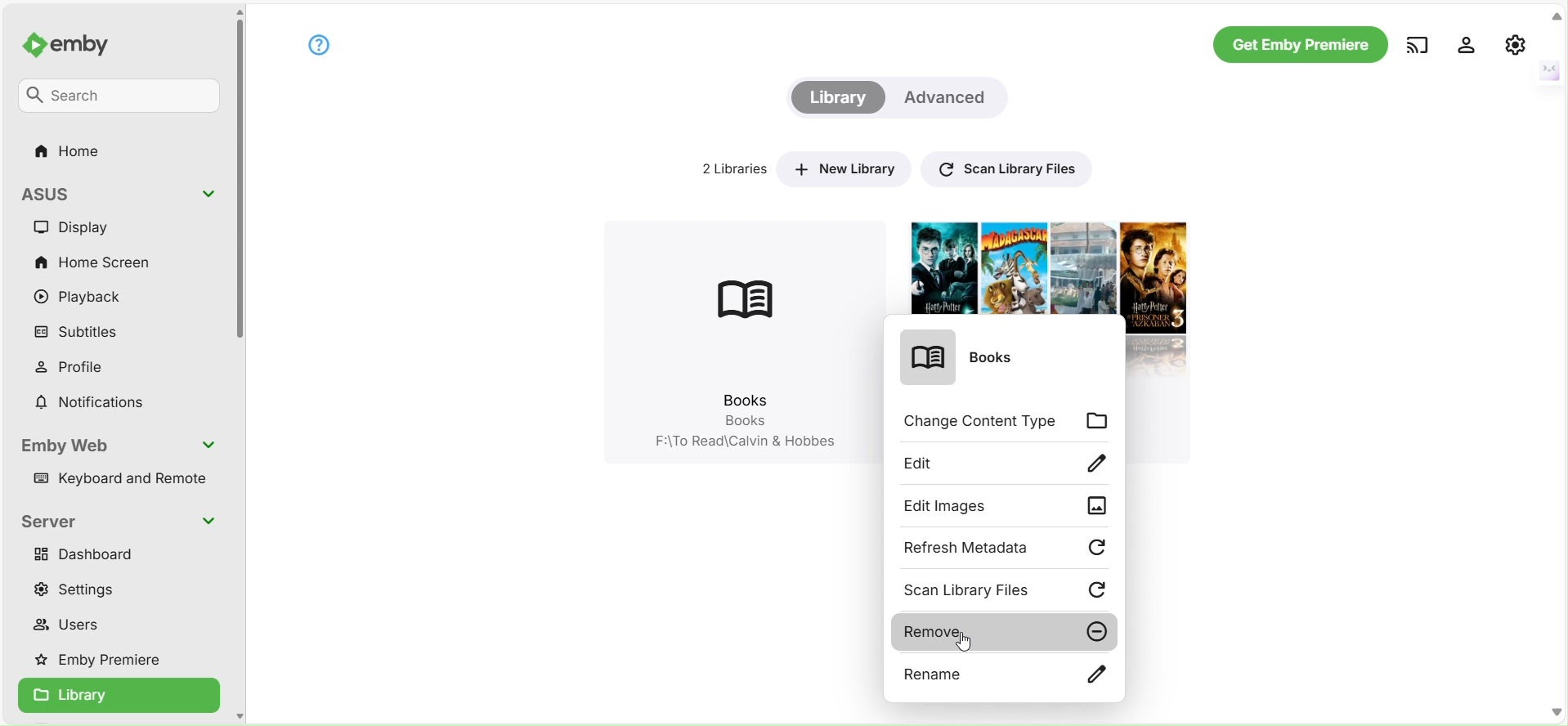 The image size is (1568, 726). Describe the element at coordinates (949, 97) in the screenshot. I see `Advanced` at that location.